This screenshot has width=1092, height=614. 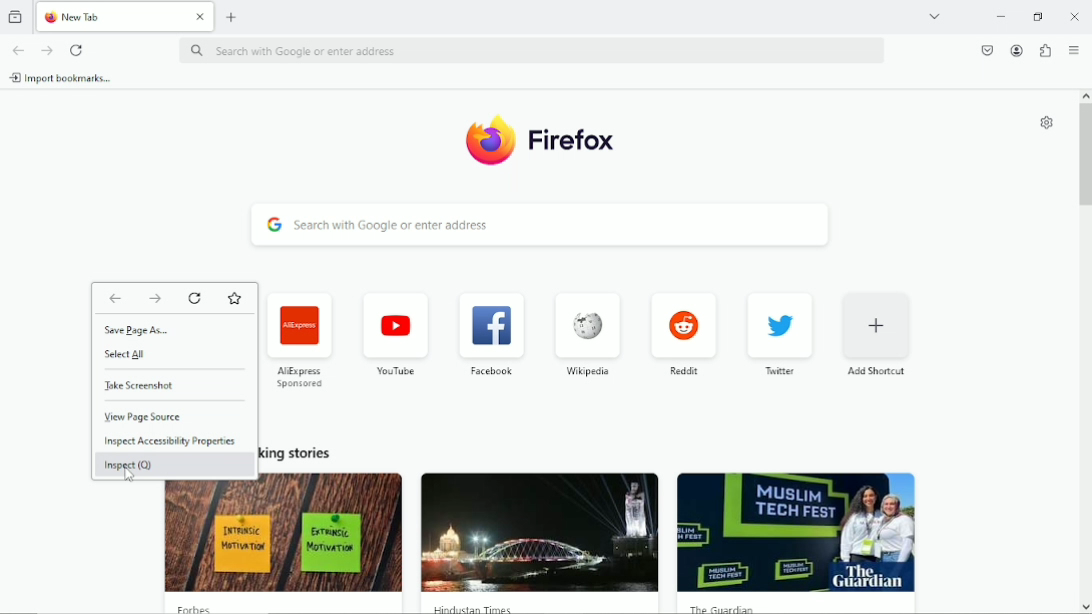 What do you see at coordinates (470, 607) in the screenshot?
I see `Hindustan Times` at bounding box center [470, 607].